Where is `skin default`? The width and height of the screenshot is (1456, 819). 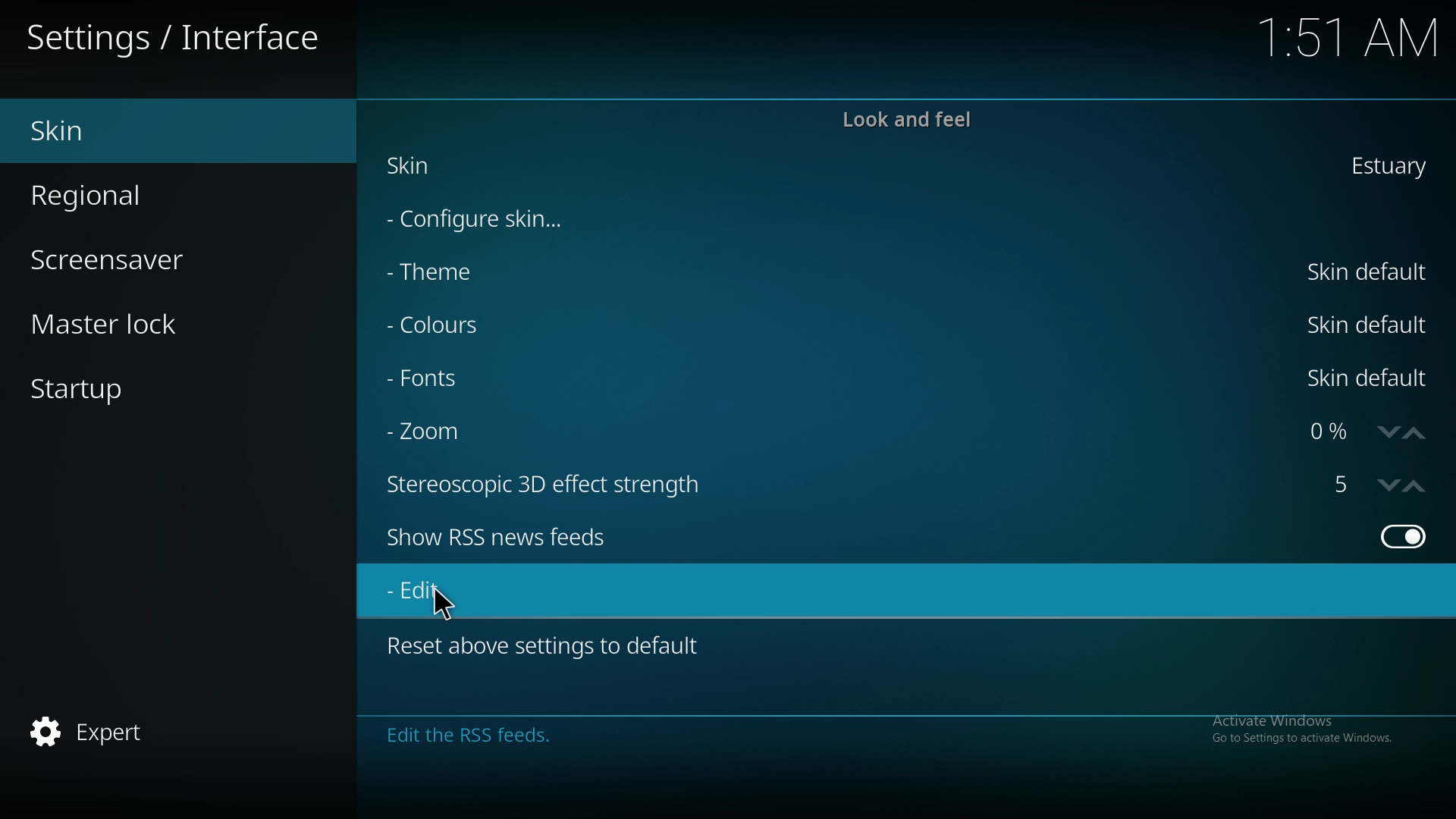 skin default is located at coordinates (1371, 271).